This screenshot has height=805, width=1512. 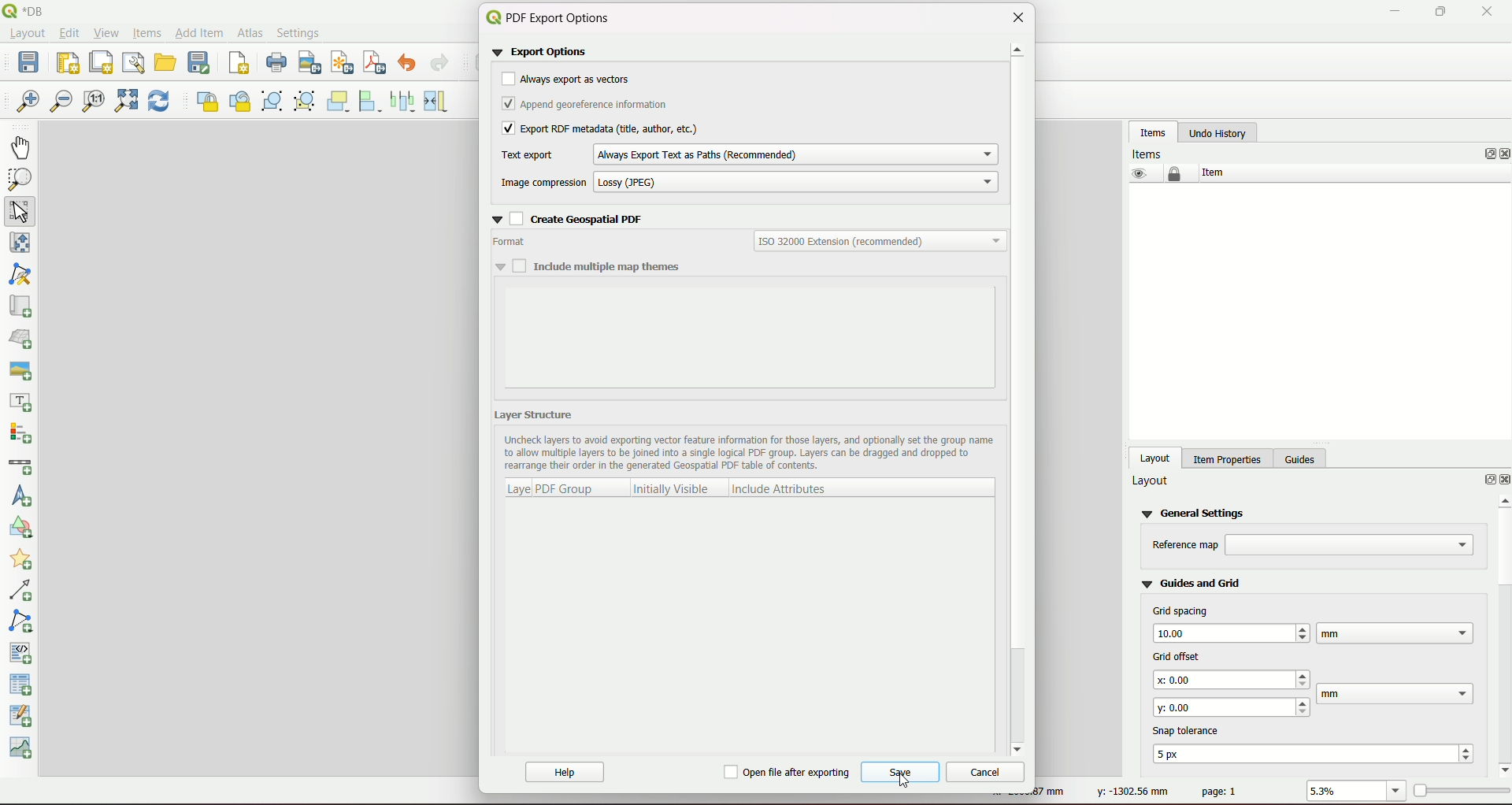 I want to click on add picture, so click(x=20, y=368).